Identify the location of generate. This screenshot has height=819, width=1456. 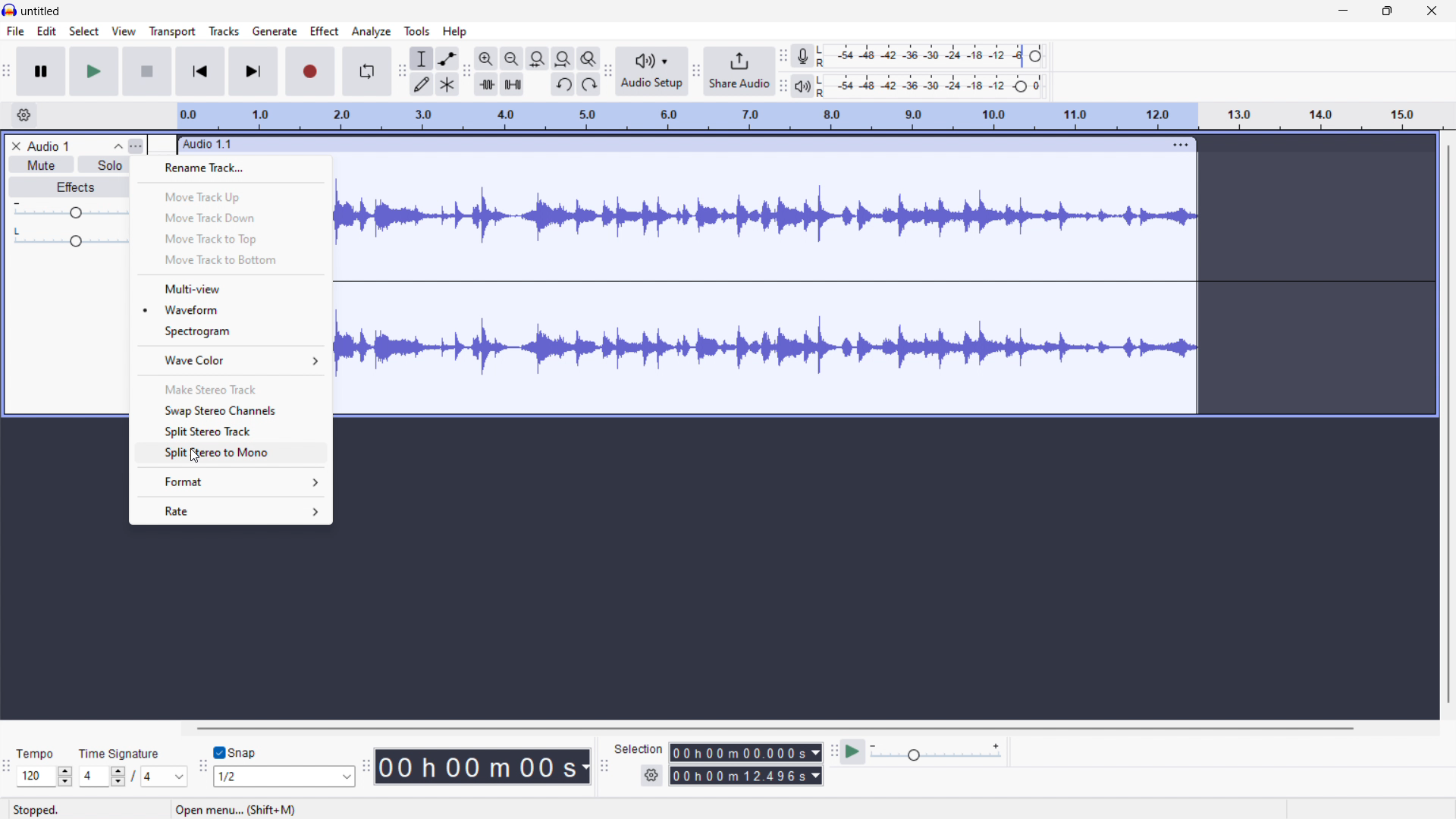
(275, 31).